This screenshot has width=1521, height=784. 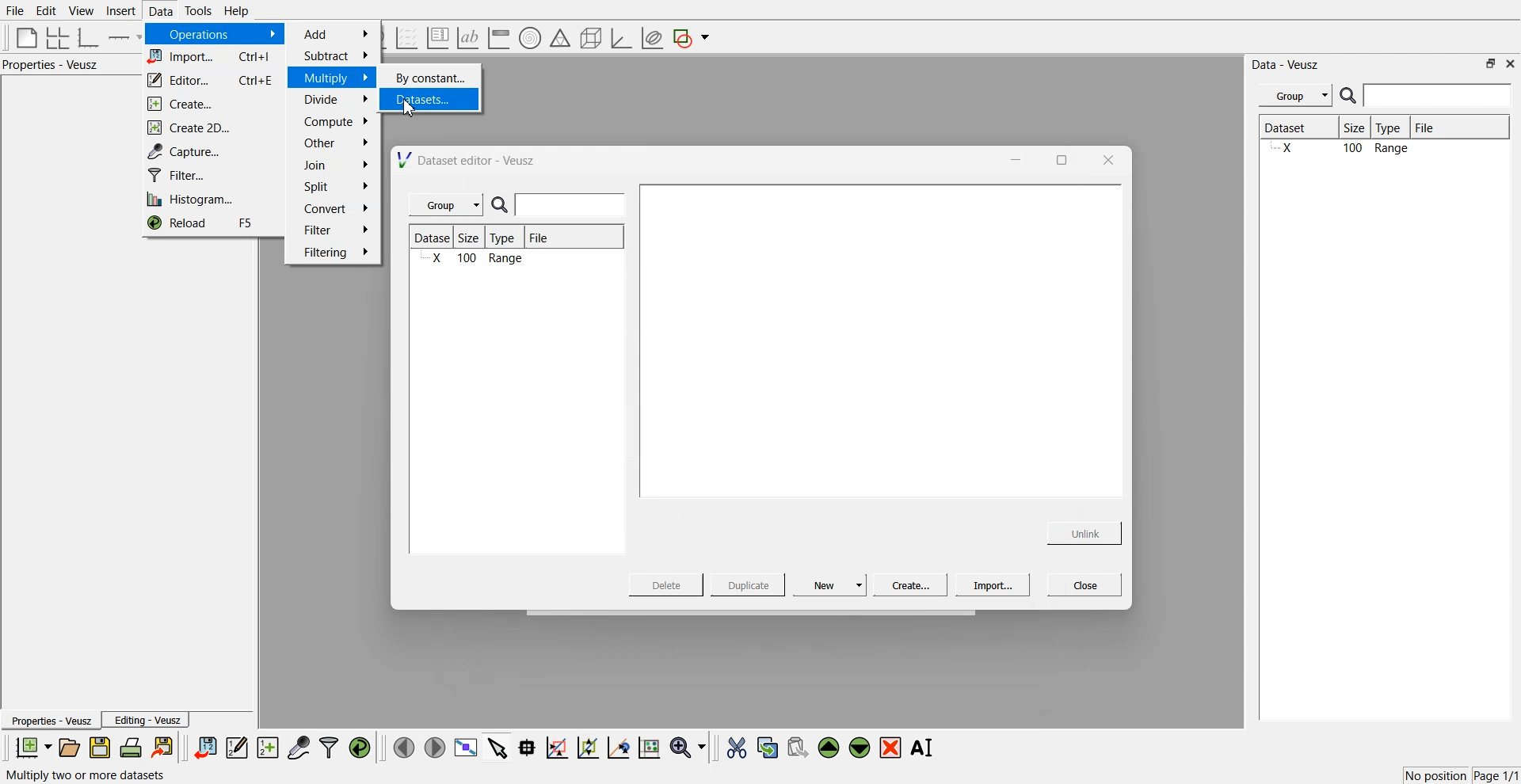 I want to click on close, so click(x=1107, y=159).